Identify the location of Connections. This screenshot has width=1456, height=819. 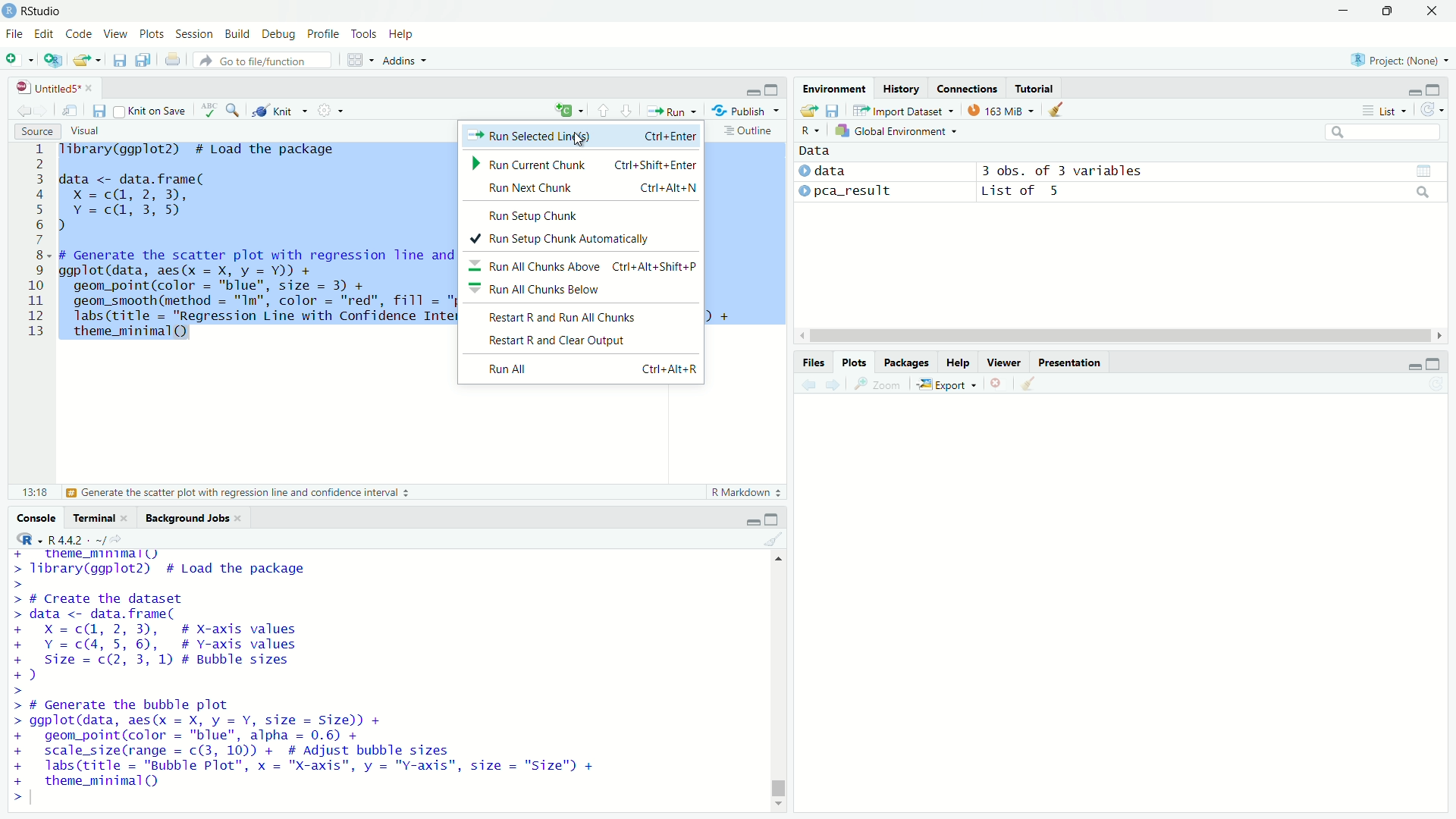
(968, 88).